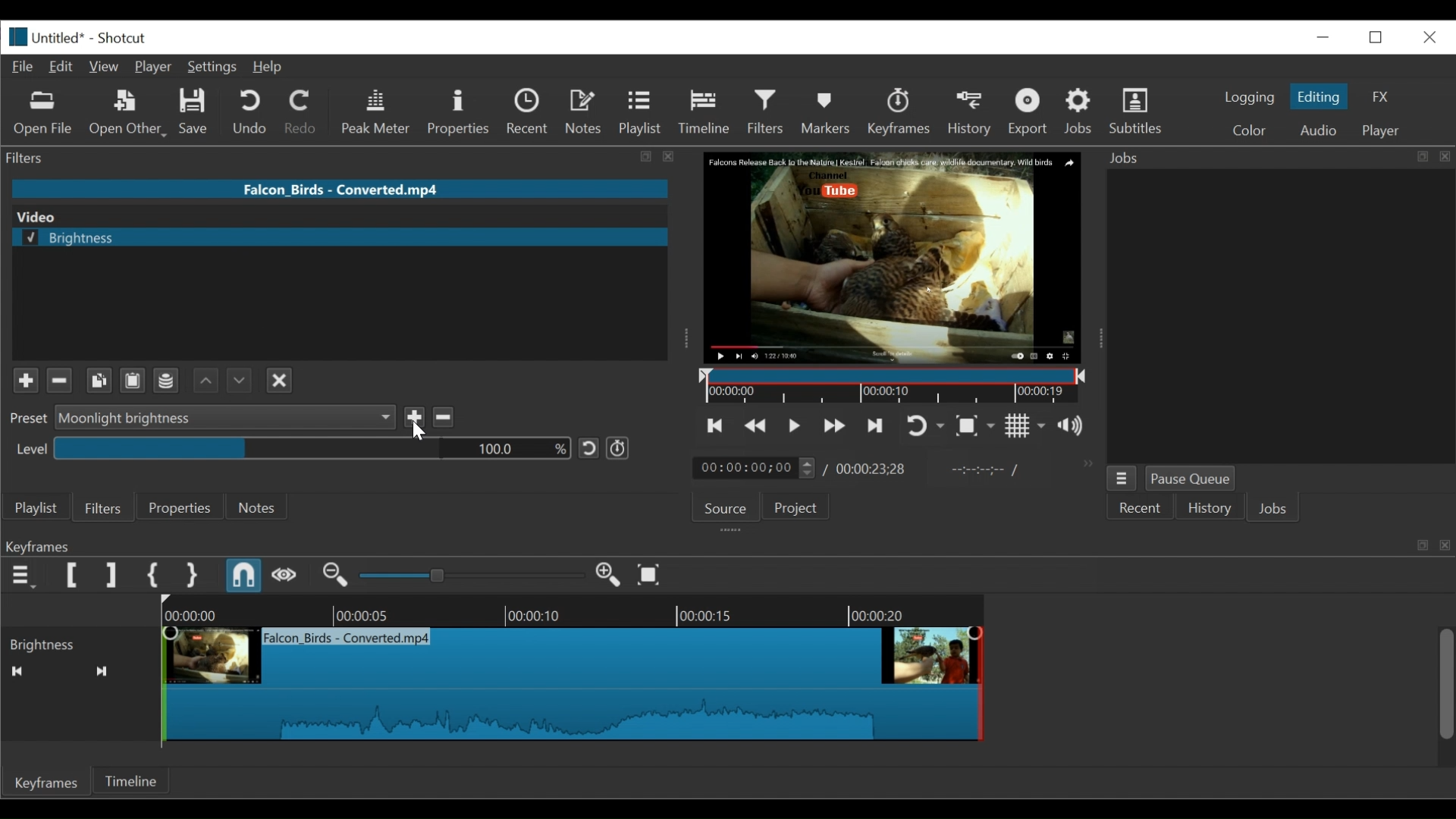 The image size is (1456, 819). I want to click on In point, so click(977, 470).